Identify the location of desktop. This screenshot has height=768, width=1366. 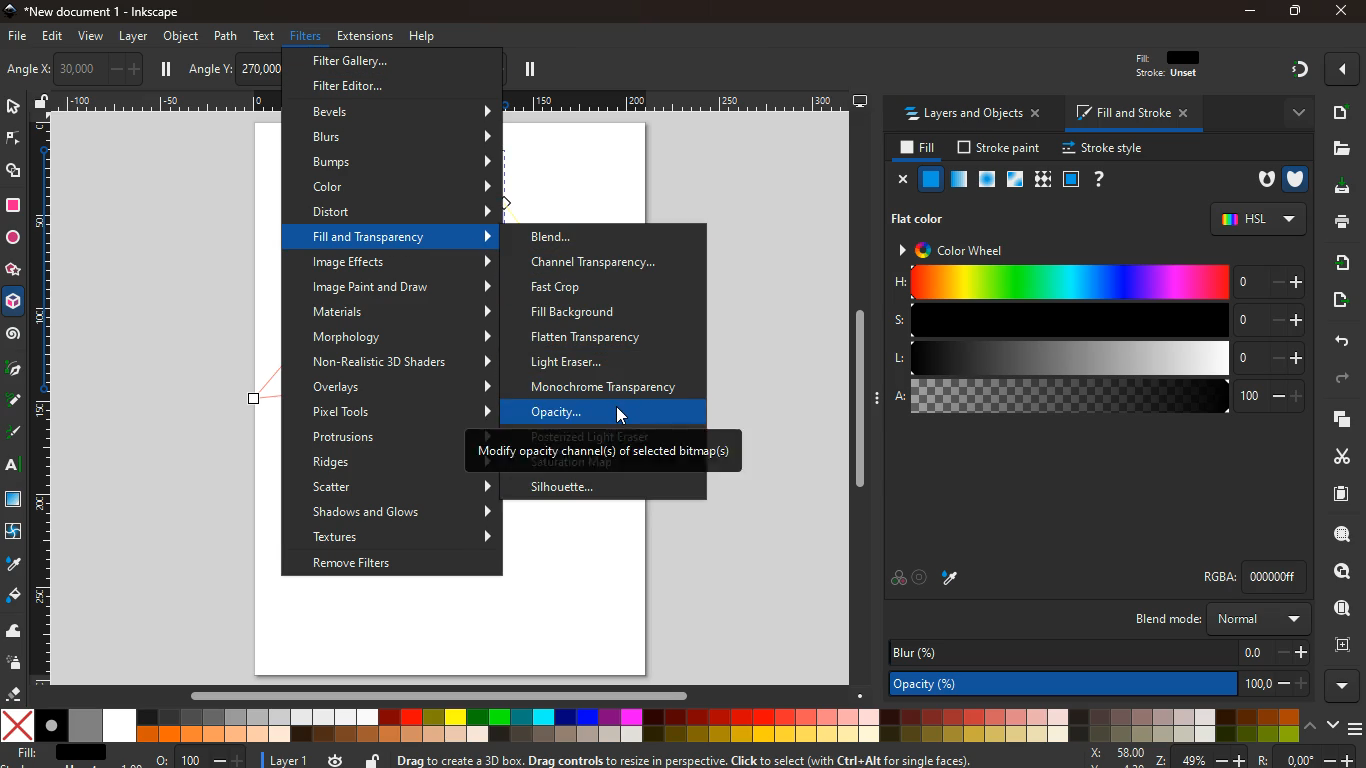
(860, 102).